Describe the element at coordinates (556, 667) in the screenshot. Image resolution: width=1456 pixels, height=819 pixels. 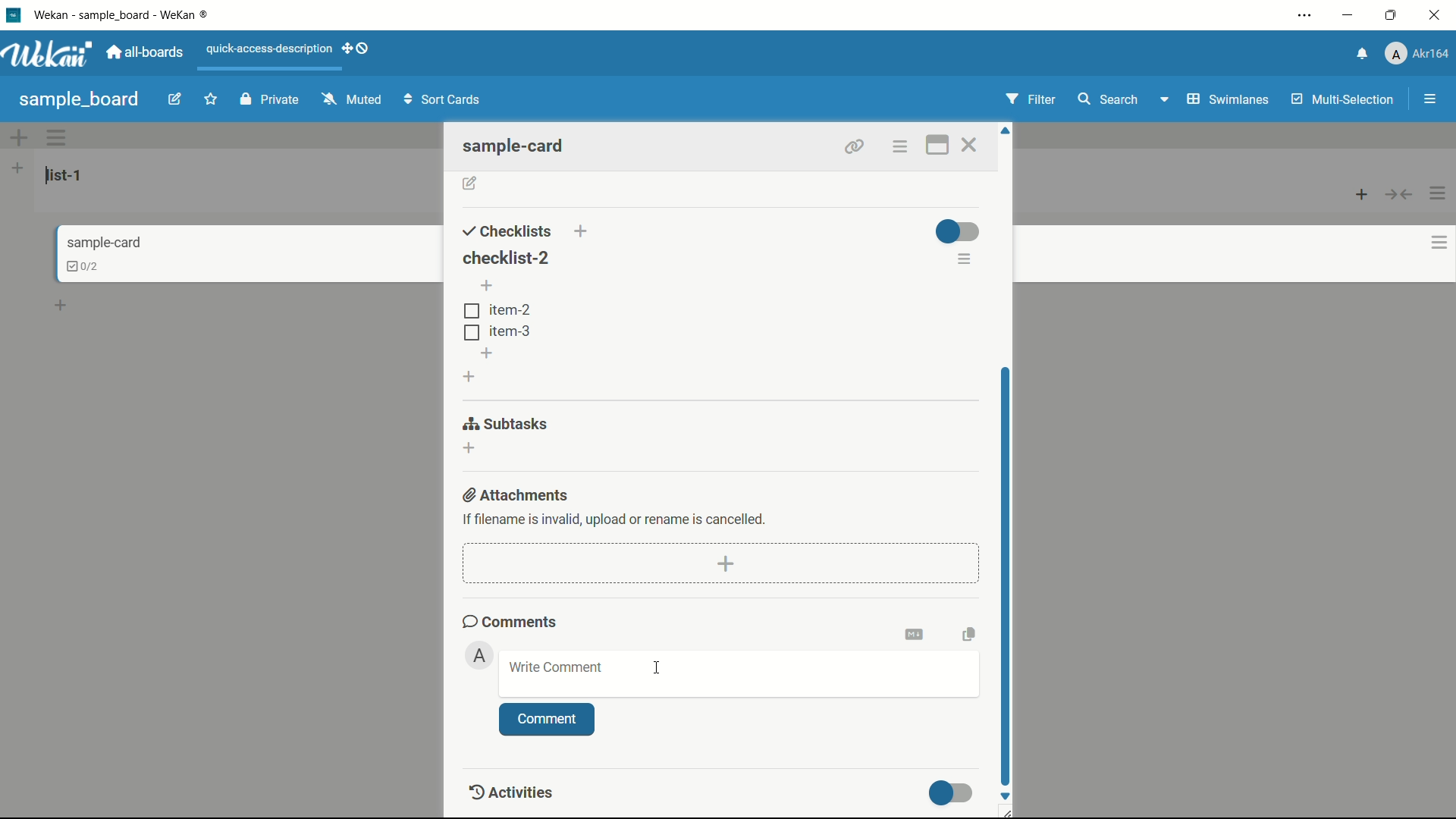
I see `write comment ` at that location.